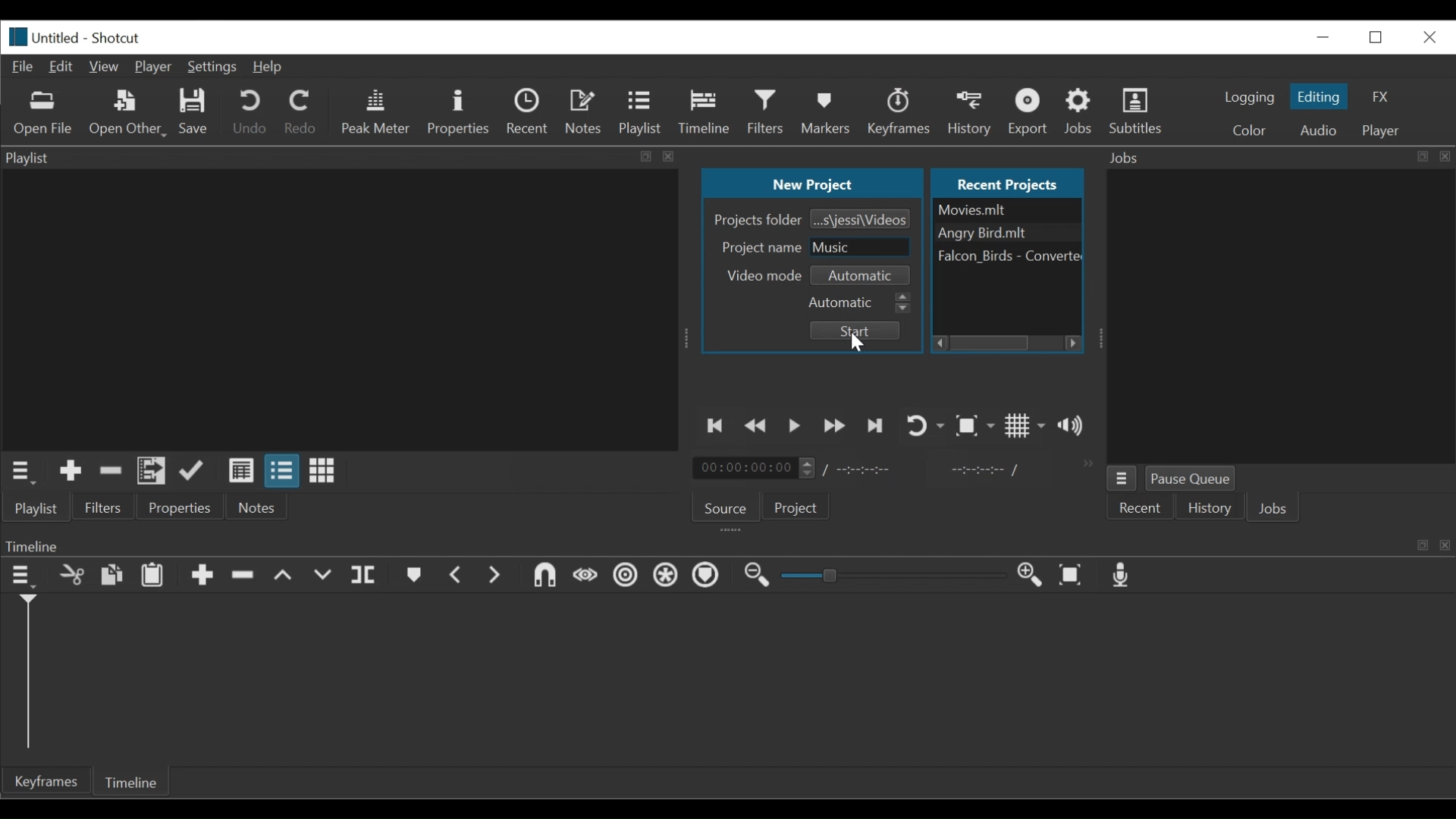 This screenshot has width=1456, height=819. Describe the element at coordinates (1007, 235) in the screenshot. I see `Angry birds` at that location.